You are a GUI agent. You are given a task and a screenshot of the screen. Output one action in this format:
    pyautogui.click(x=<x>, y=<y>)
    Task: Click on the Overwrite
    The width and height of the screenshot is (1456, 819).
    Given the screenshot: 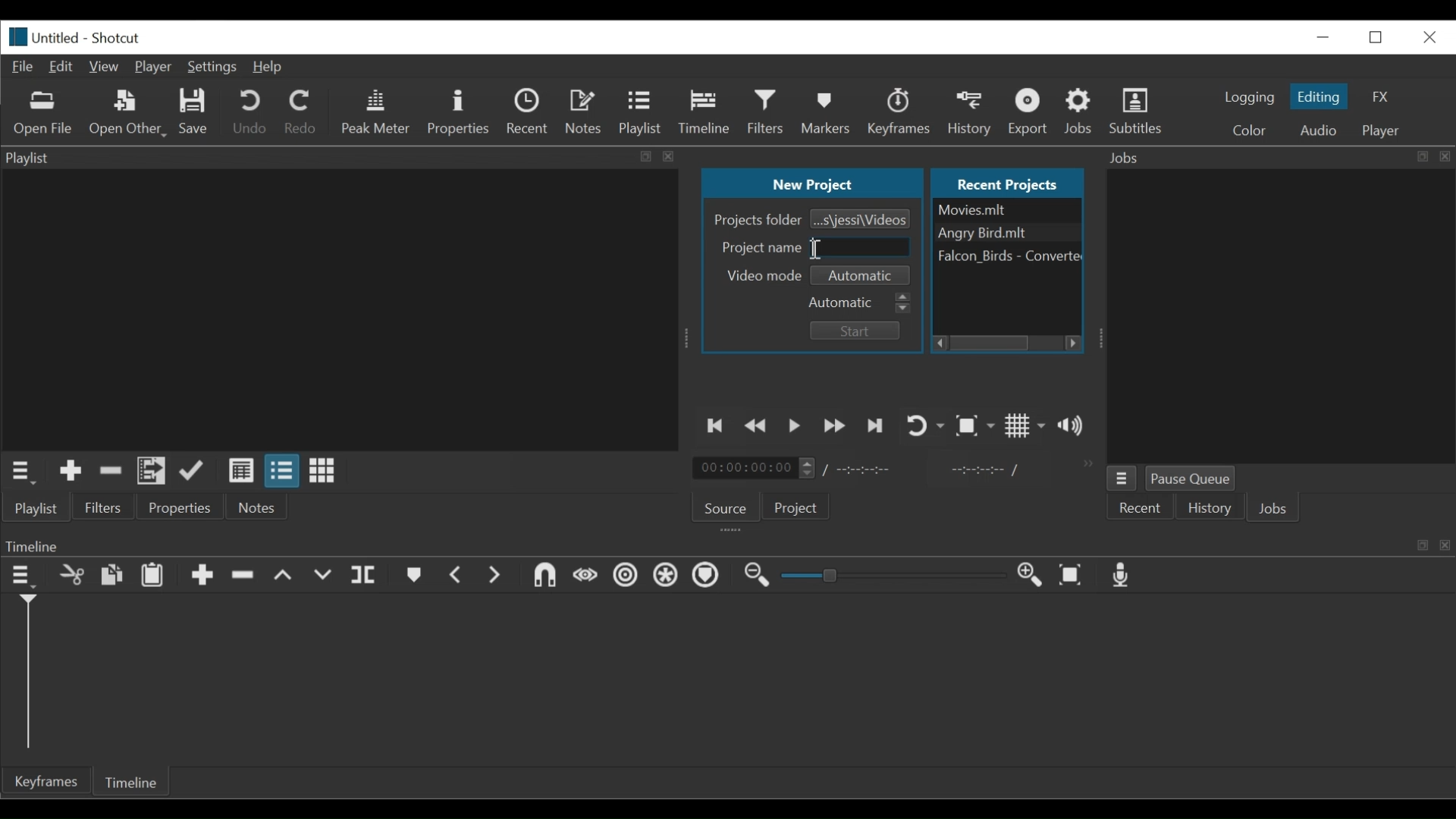 What is the action you would take?
    pyautogui.click(x=322, y=576)
    